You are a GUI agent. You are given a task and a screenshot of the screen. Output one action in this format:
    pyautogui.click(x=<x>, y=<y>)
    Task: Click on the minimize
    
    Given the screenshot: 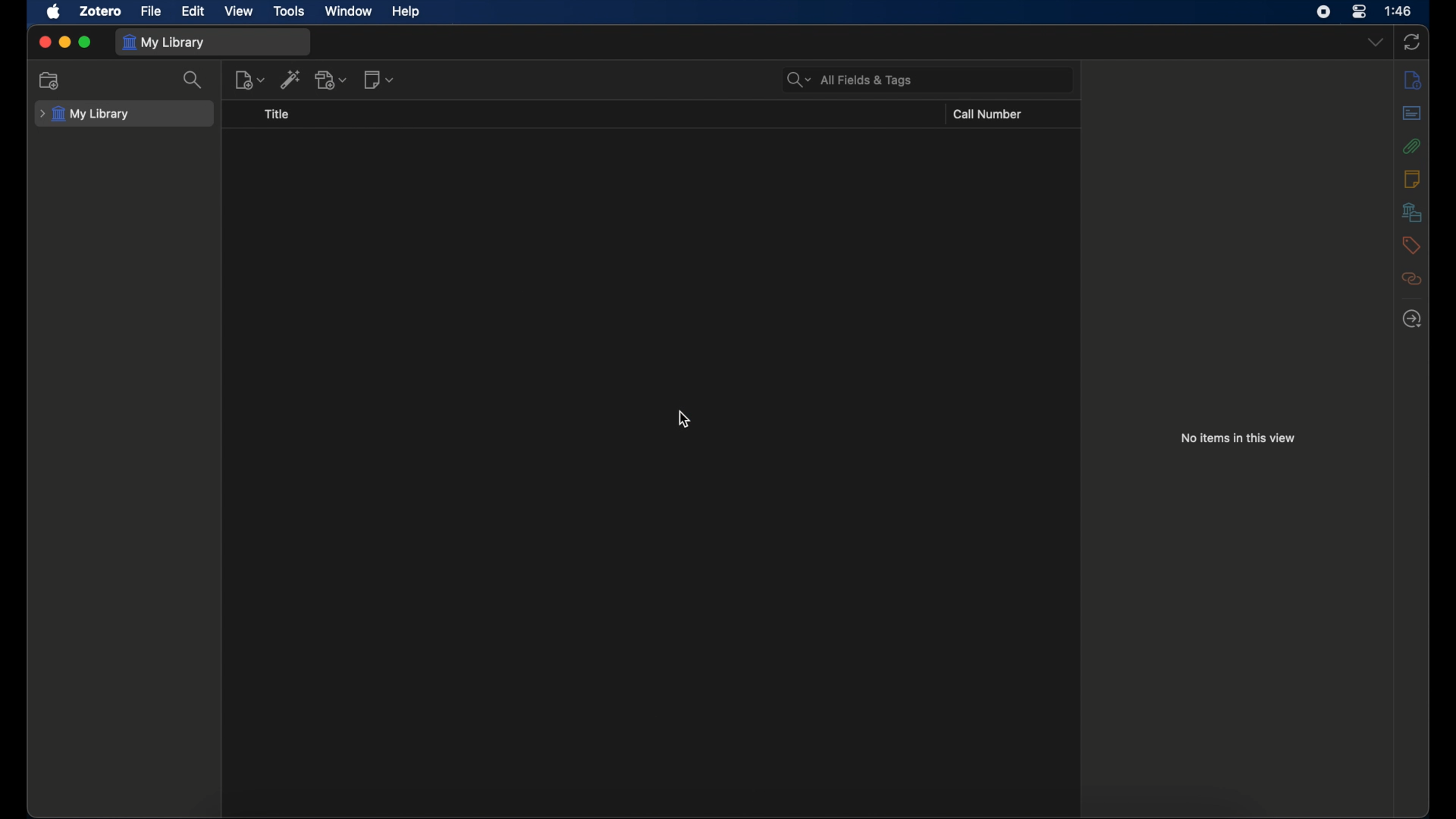 What is the action you would take?
    pyautogui.click(x=64, y=42)
    